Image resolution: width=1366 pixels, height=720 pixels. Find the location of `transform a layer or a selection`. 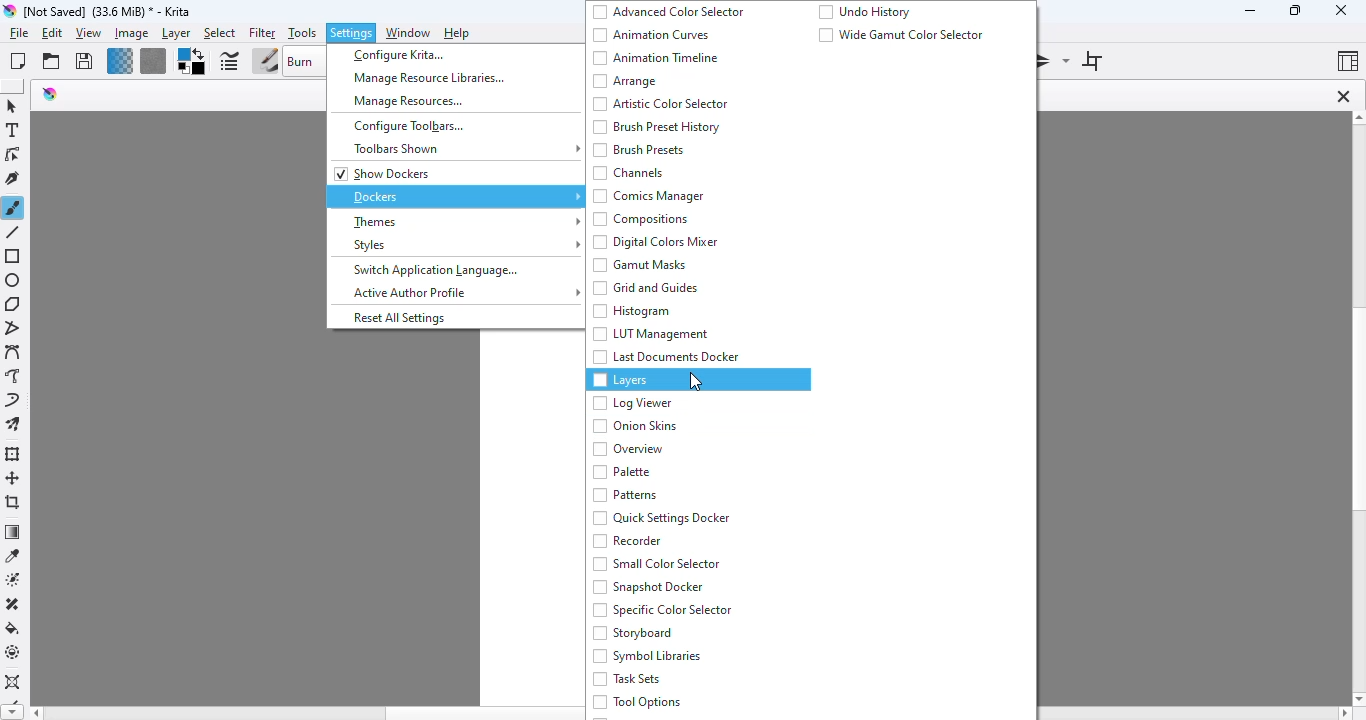

transform a layer or a selection is located at coordinates (13, 454).